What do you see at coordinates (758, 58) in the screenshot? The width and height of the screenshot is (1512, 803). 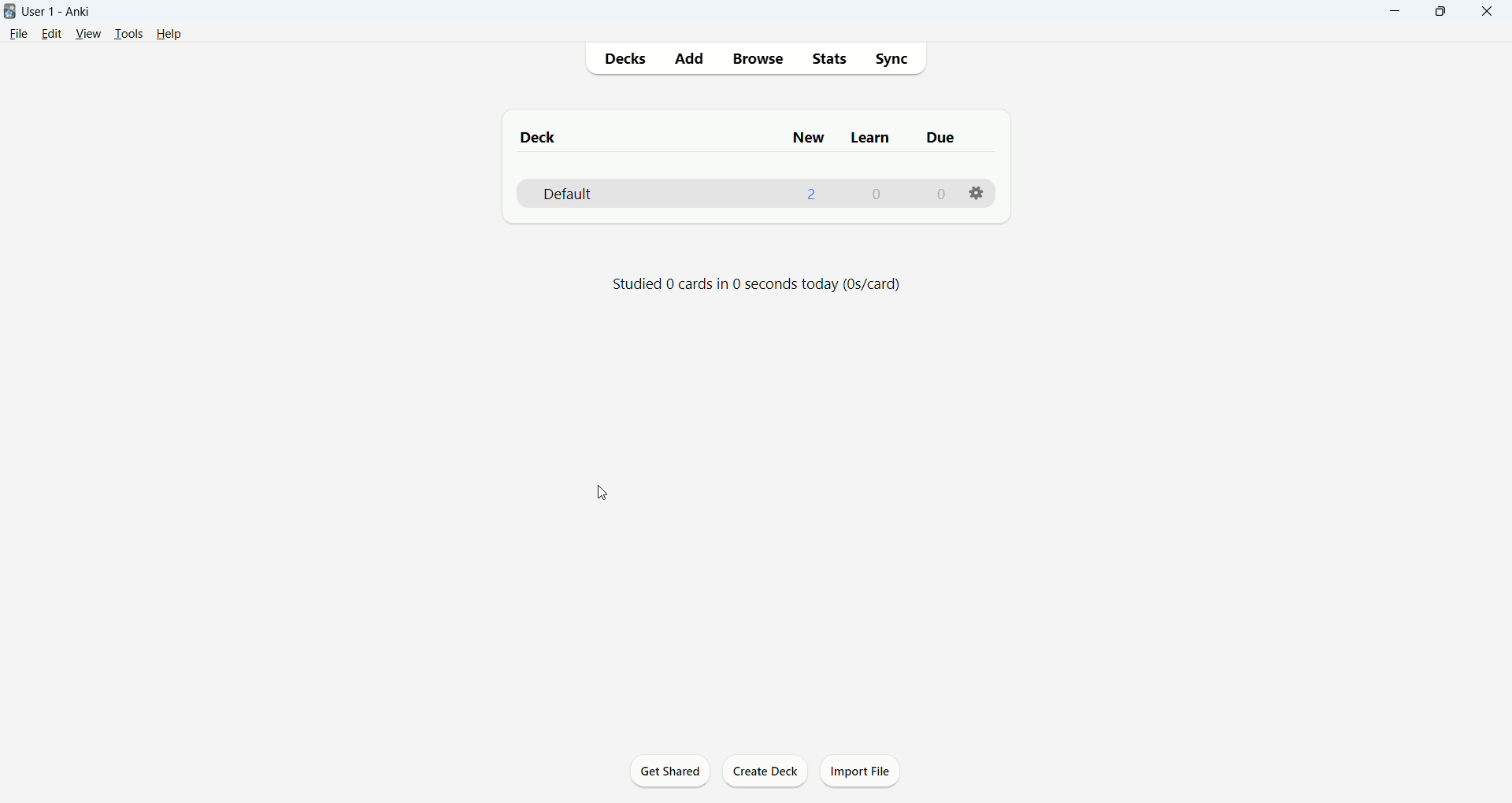 I see `browse` at bounding box center [758, 58].